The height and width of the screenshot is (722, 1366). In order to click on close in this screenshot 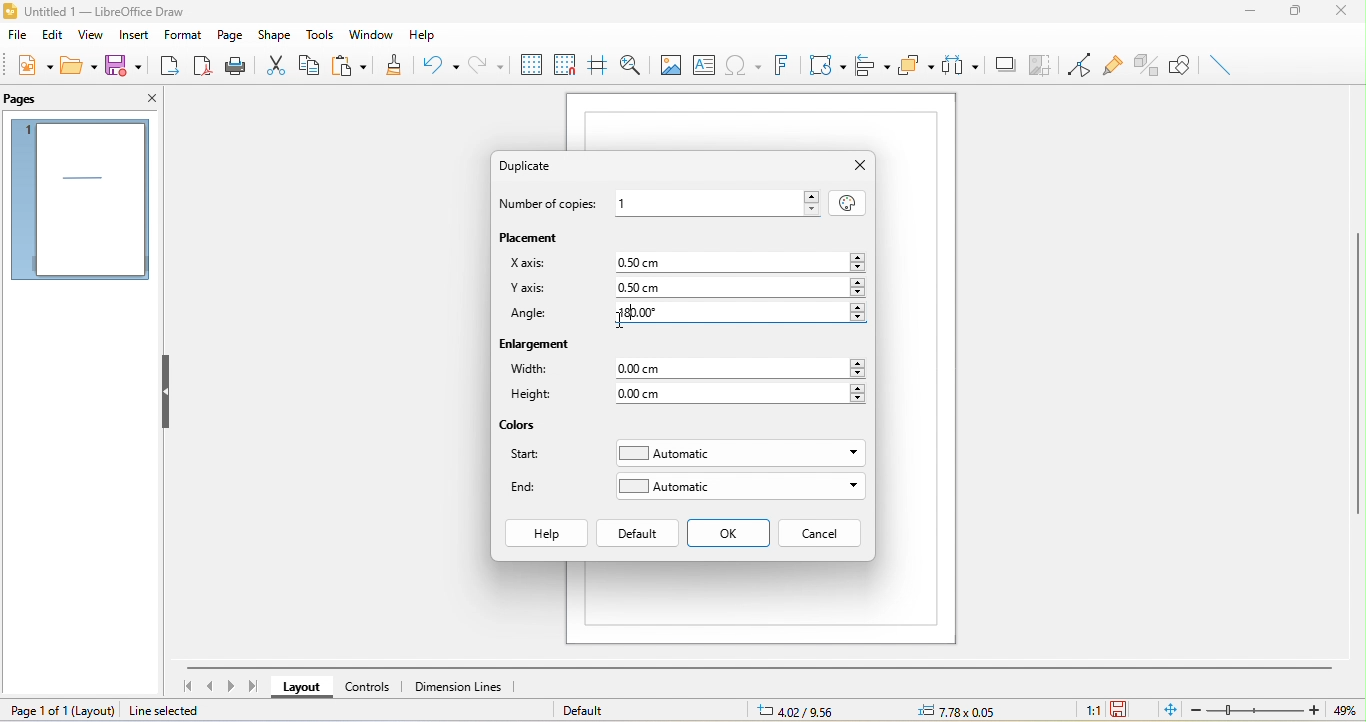, I will do `click(859, 166)`.